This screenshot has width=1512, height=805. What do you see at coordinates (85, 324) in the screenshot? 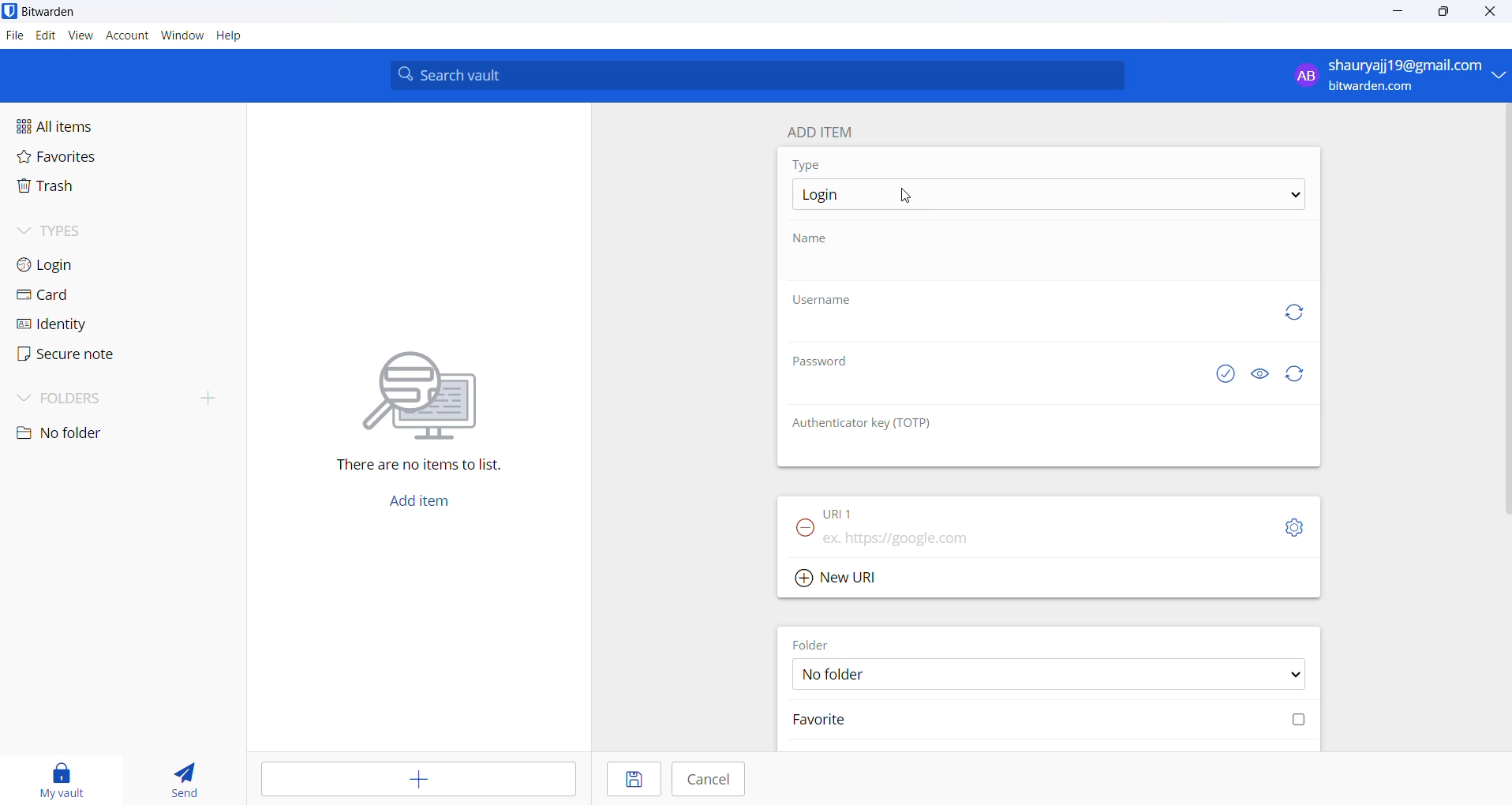
I see `identity` at bounding box center [85, 324].